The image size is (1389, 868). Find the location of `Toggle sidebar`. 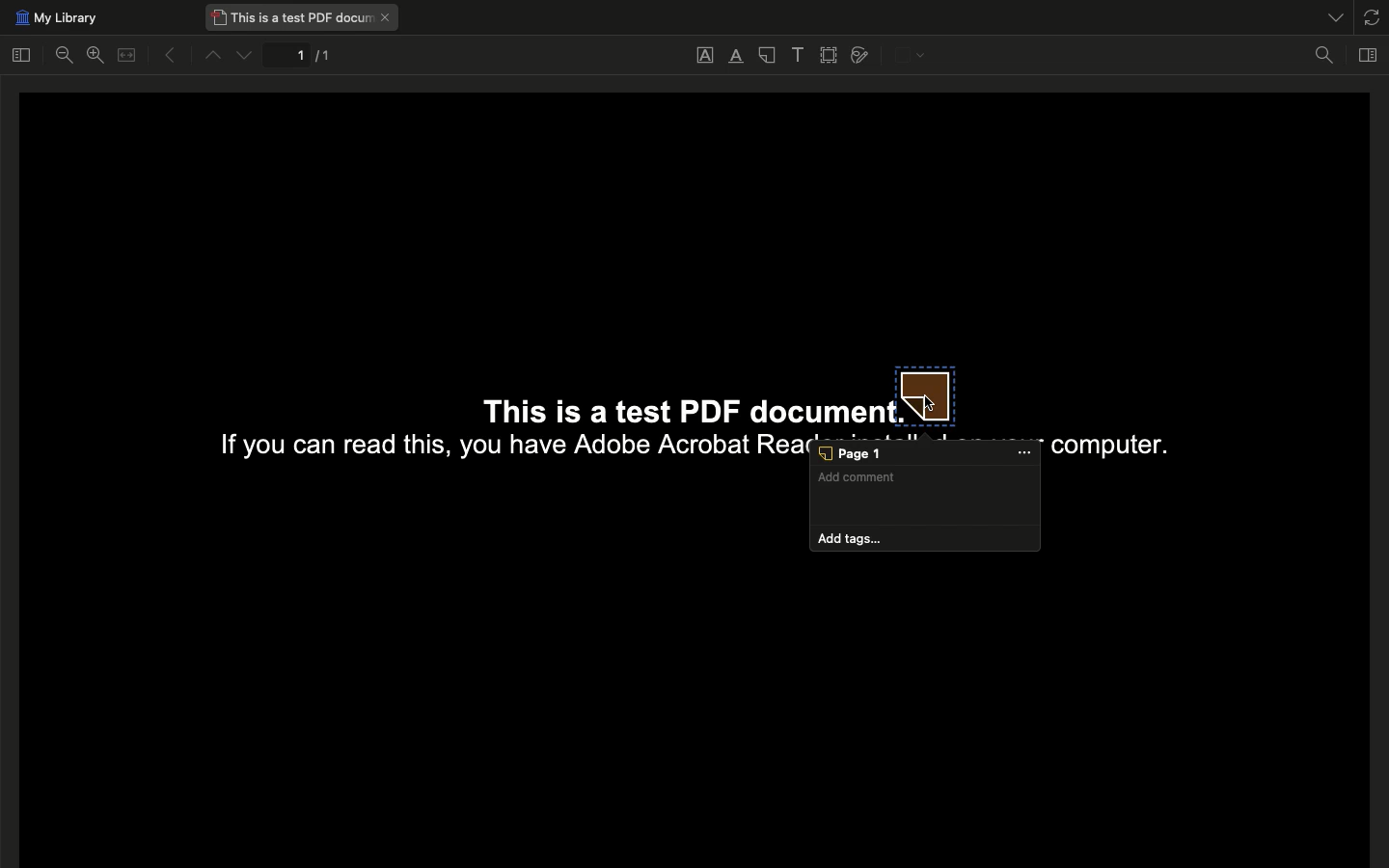

Toggle sidebar is located at coordinates (21, 54).